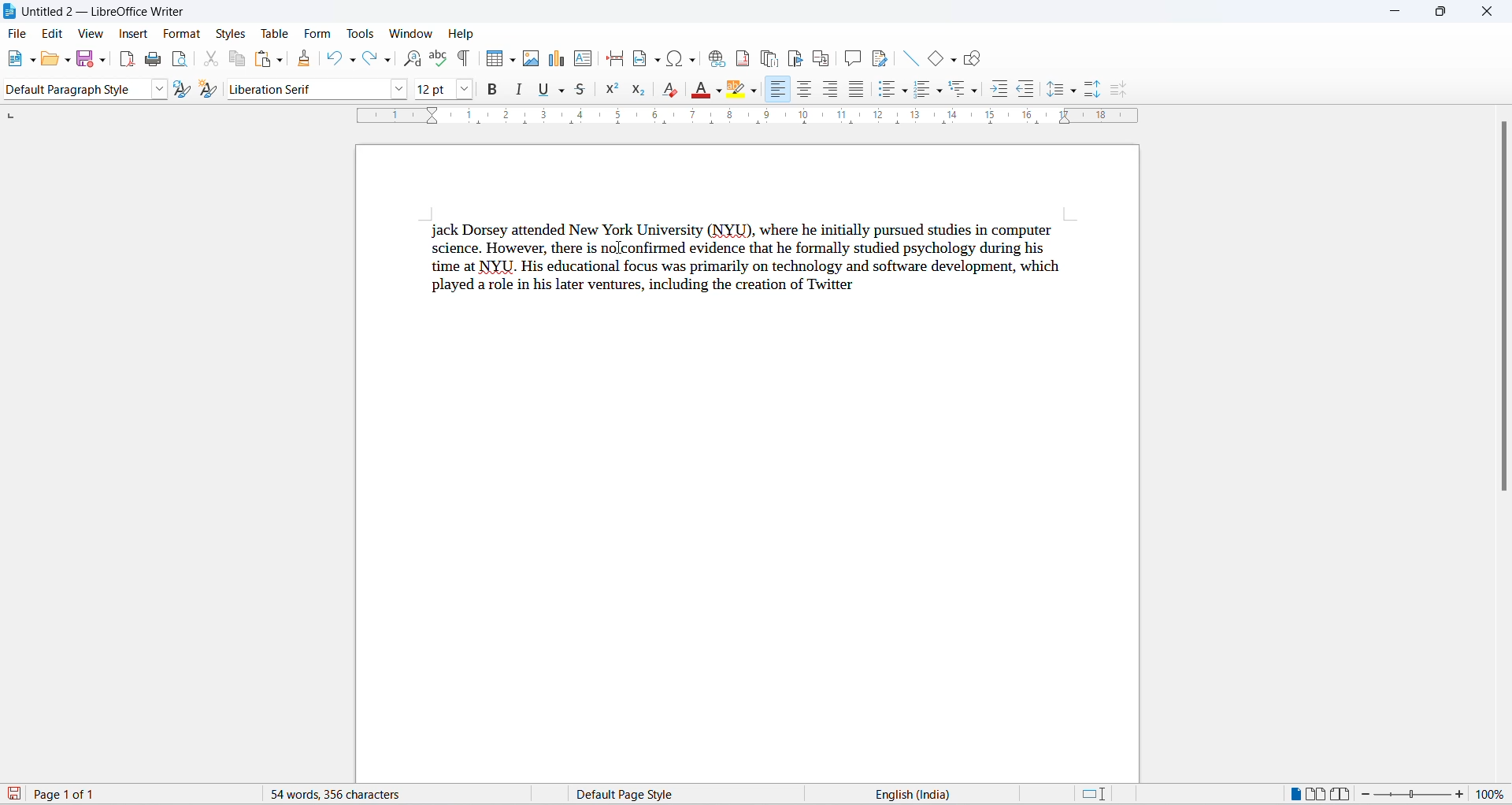  I want to click on text align right, so click(828, 91).